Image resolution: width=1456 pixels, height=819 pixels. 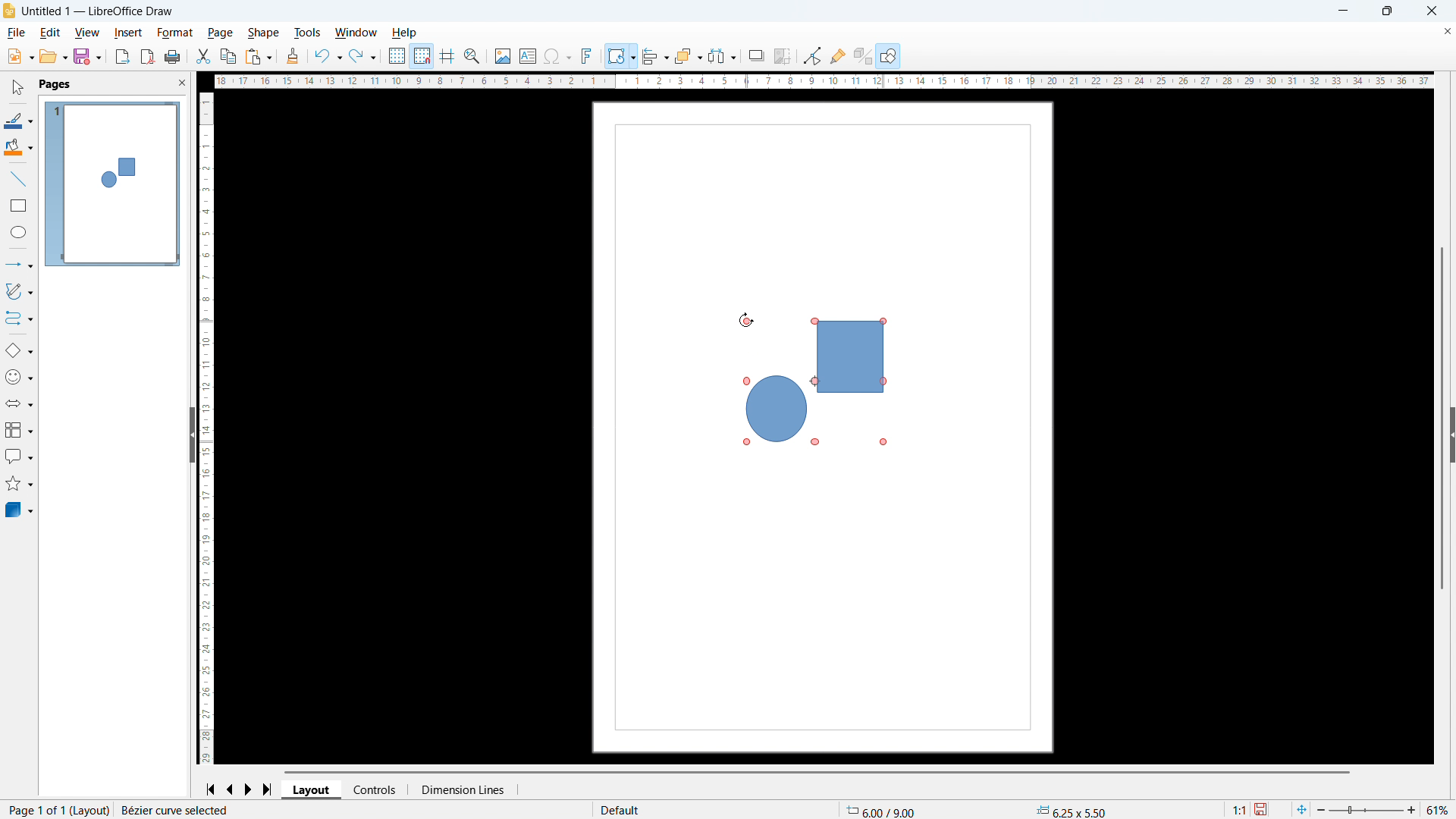 What do you see at coordinates (86, 33) in the screenshot?
I see `View ` at bounding box center [86, 33].